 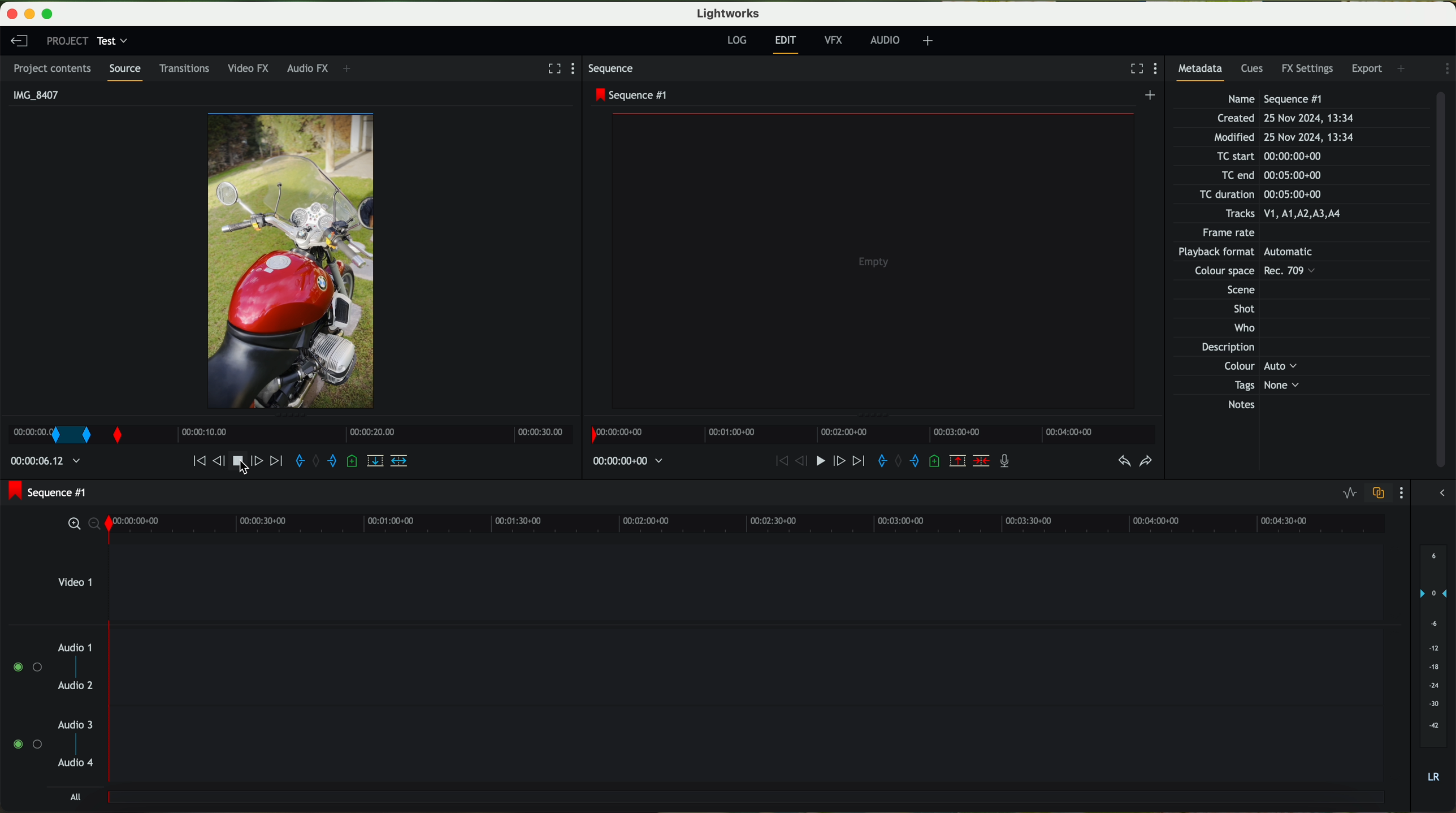 I want to click on redo, so click(x=1146, y=462).